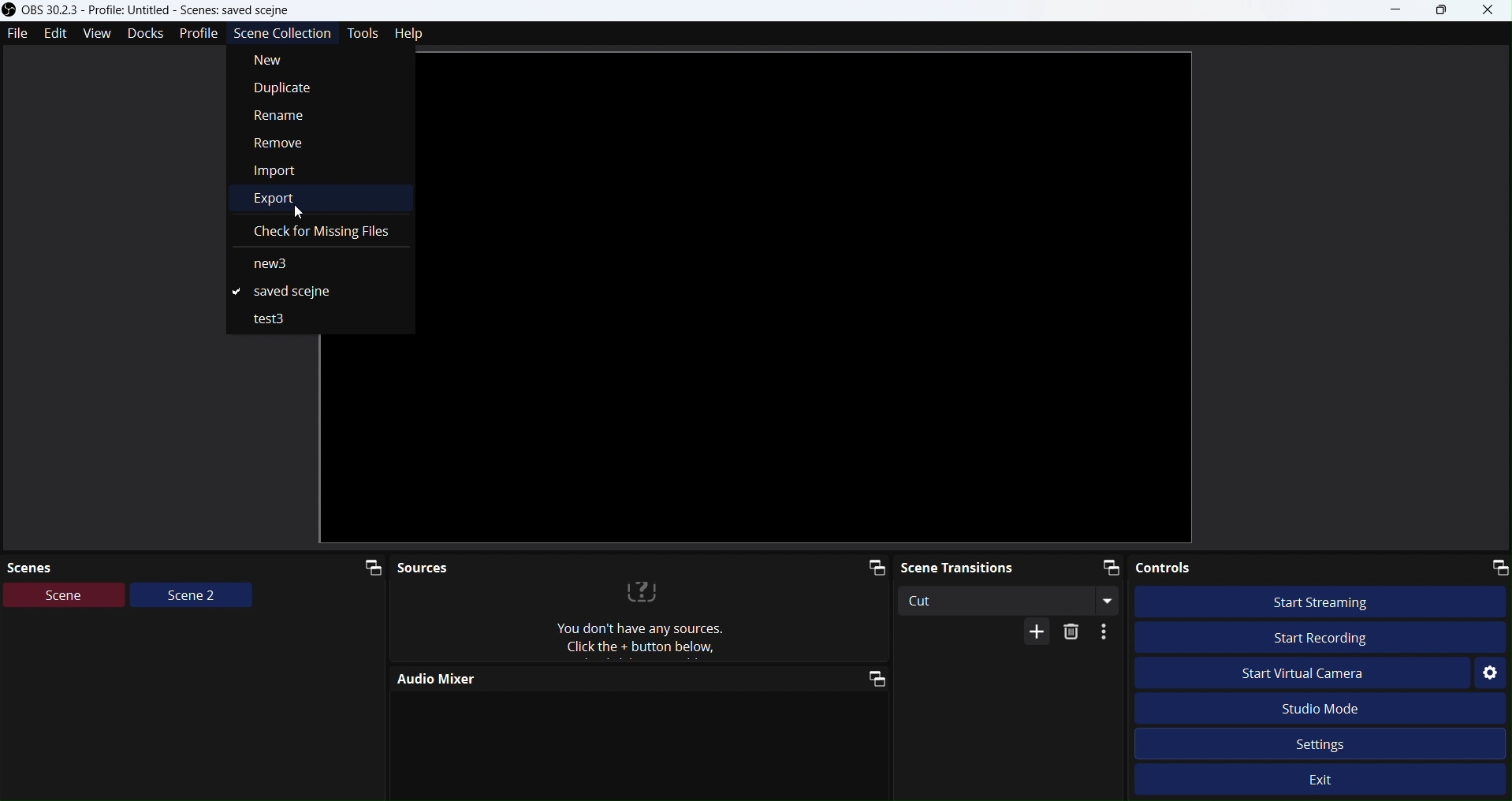 The height and width of the screenshot is (801, 1512). What do you see at coordinates (1324, 744) in the screenshot?
I see `Settings` at bounding box center [1324, 744].